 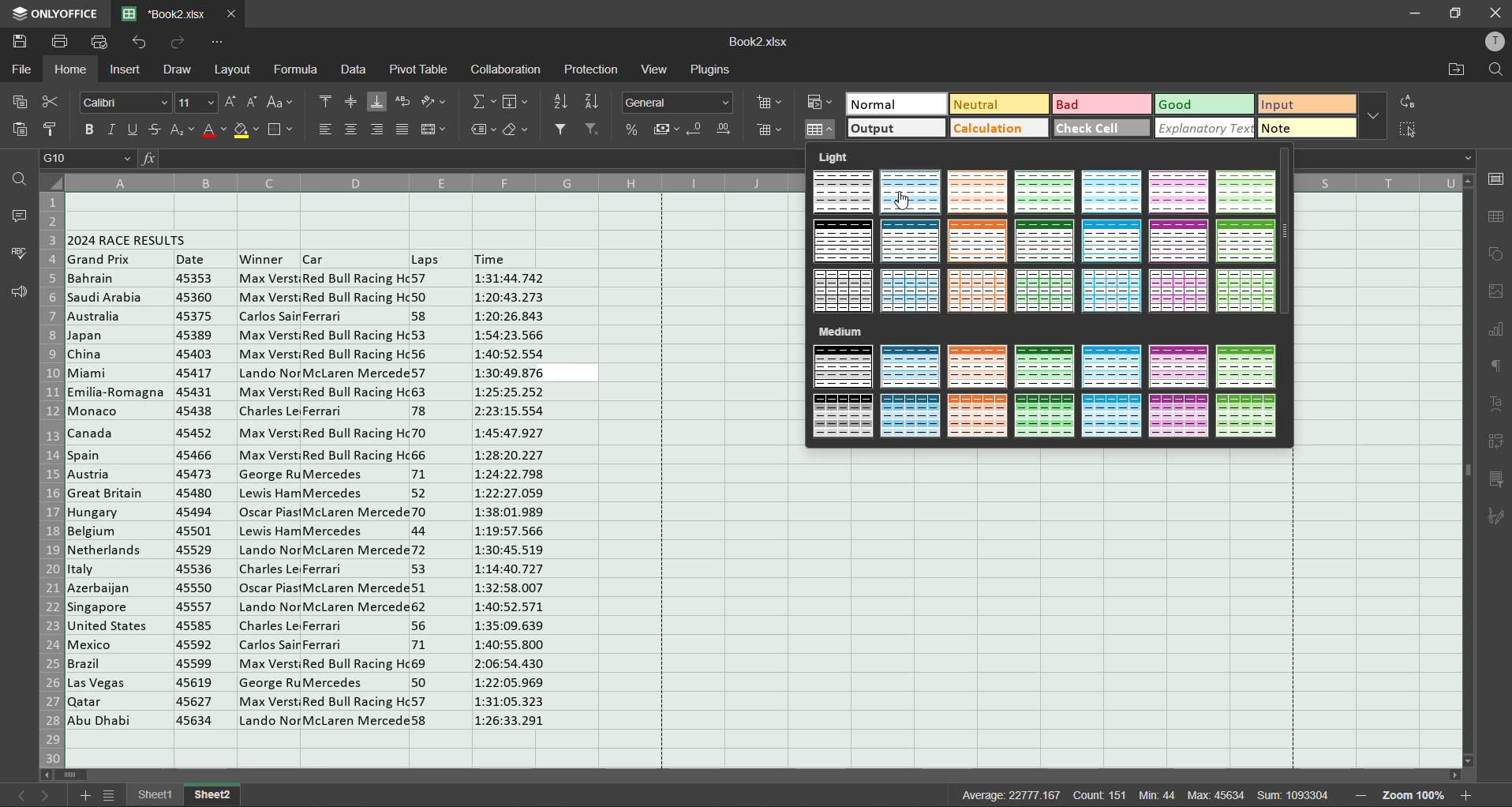 I want to click on row numbers, so click(x=52, y=477).